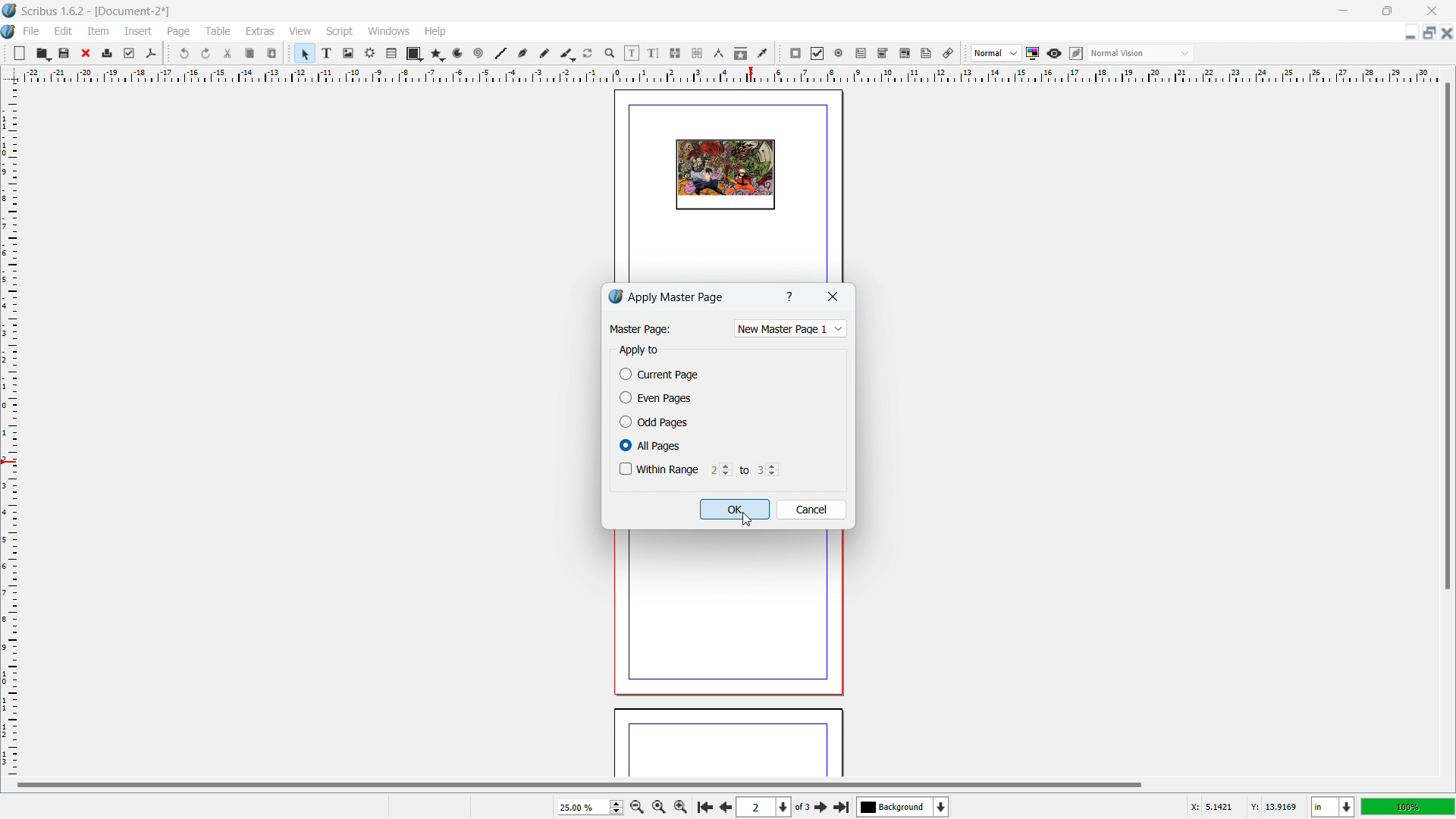 The image size is (1456, 819). What do you see at coordinates (1430, 10) in the screenshot?
I see `close window` at bounding box center [1430, 10].